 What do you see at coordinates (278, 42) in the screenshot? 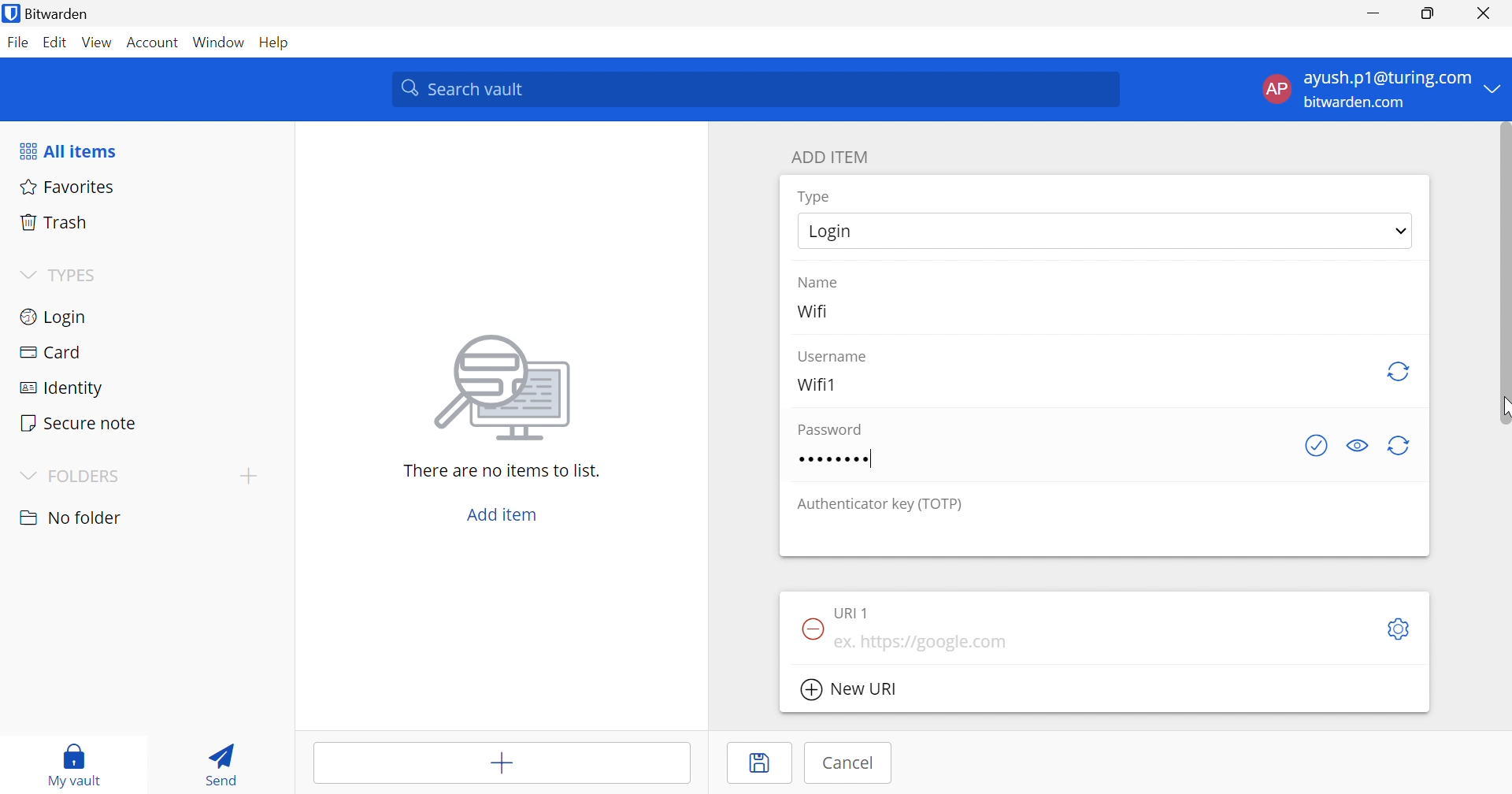
I see `Help` at bounding box center [278, 42].